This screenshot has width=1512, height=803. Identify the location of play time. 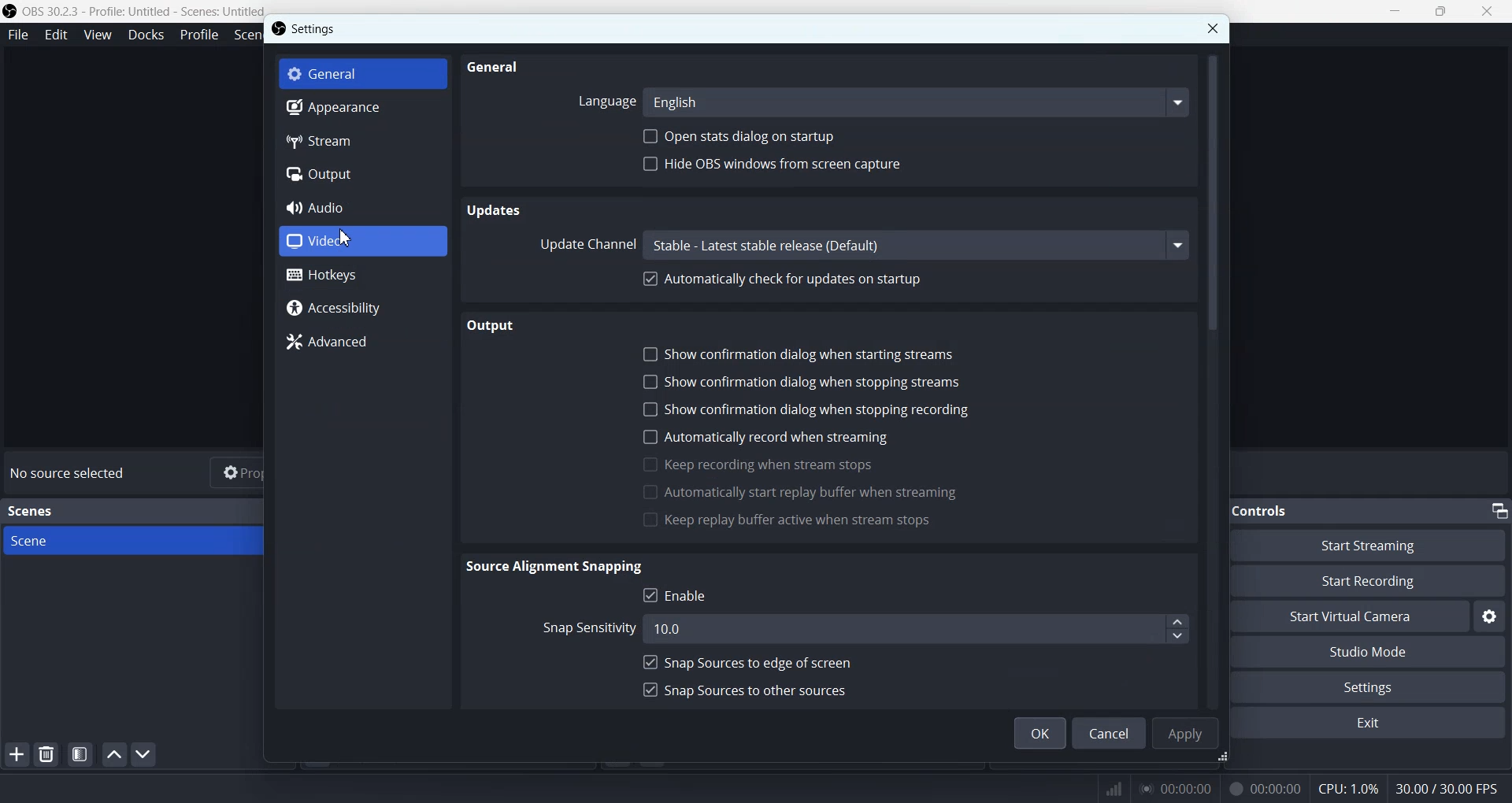
(1177, 788).